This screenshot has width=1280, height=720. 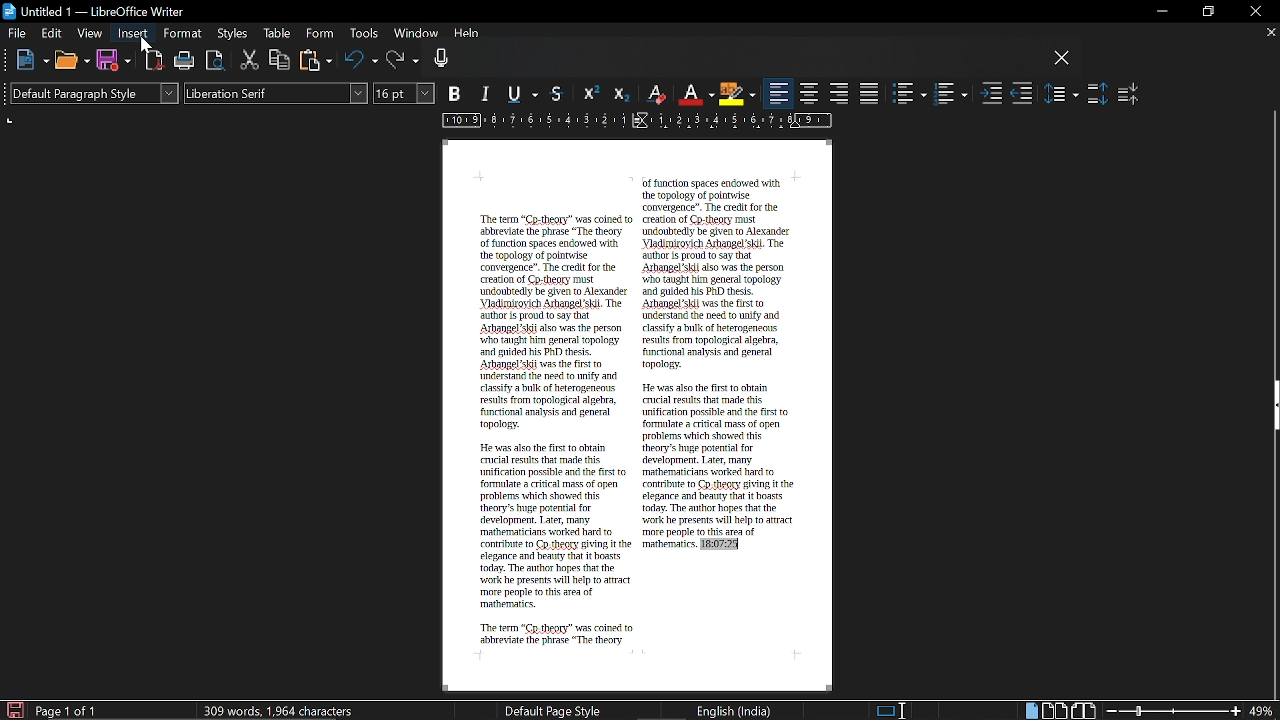 What do you see at coordinates (657, 95) in the screenshot?
I see `Ersaser` at bounding box center [657, 95].